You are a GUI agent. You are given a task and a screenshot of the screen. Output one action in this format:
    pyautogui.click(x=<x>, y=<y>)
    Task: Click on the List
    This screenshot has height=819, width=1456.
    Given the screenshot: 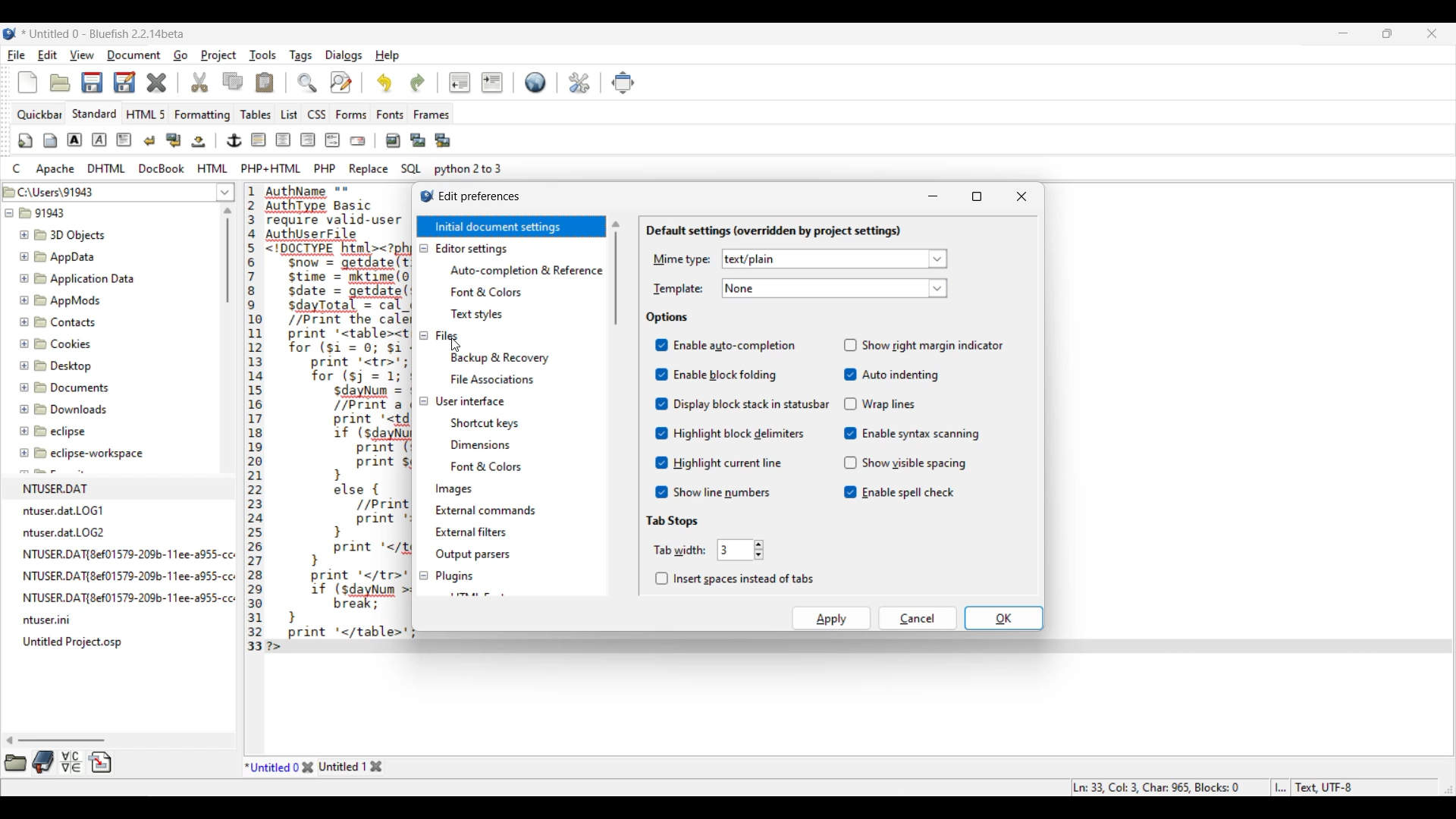 What is the action you would take?
    pyautogui.click(x=290, y=115)
    